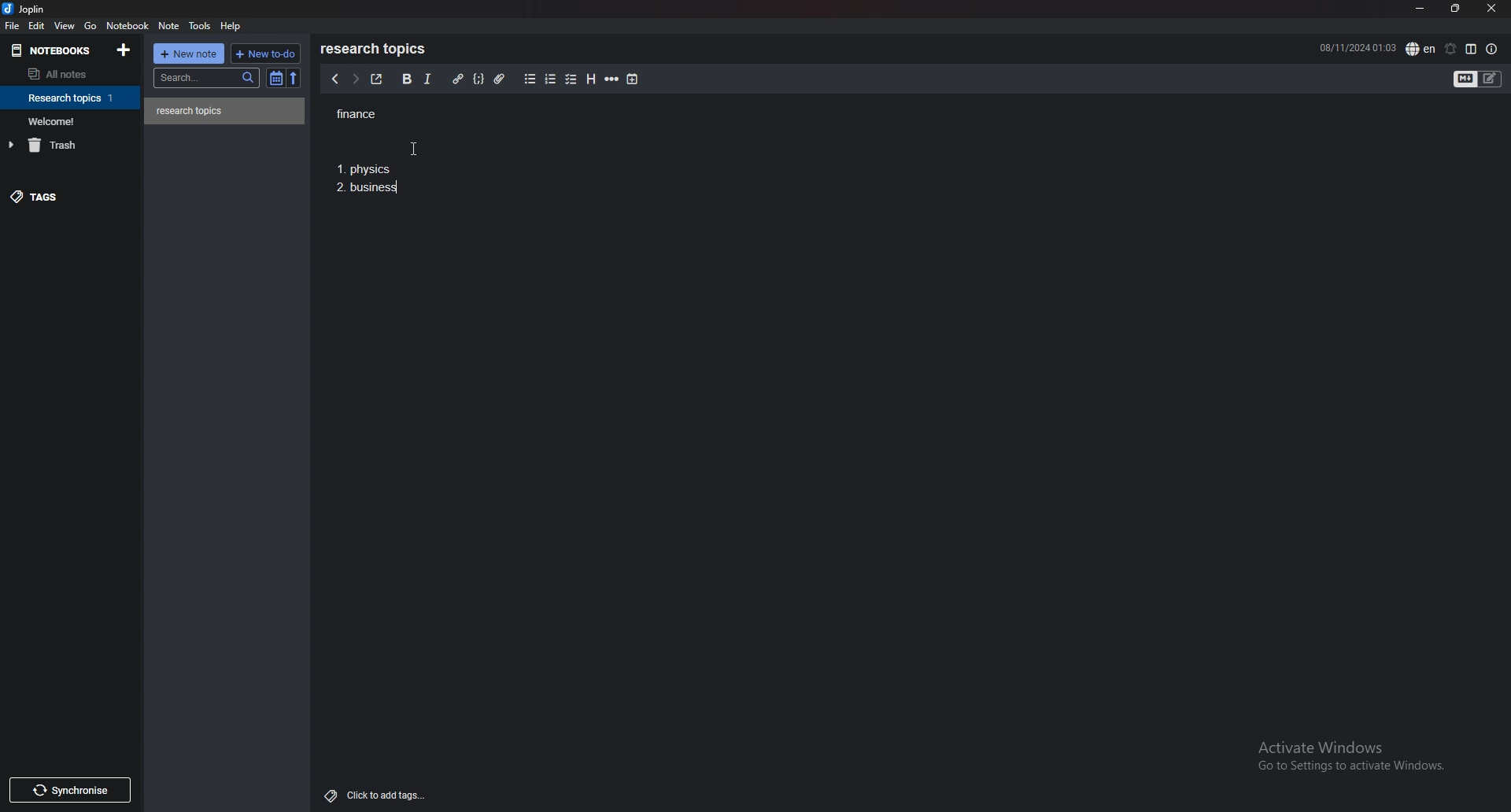 The height and width of the screenshot is (812, 1511). What do you see at coordinates (1419, 9) in the screenshot?
I see `minimize` at bounding box center [1419, 9].